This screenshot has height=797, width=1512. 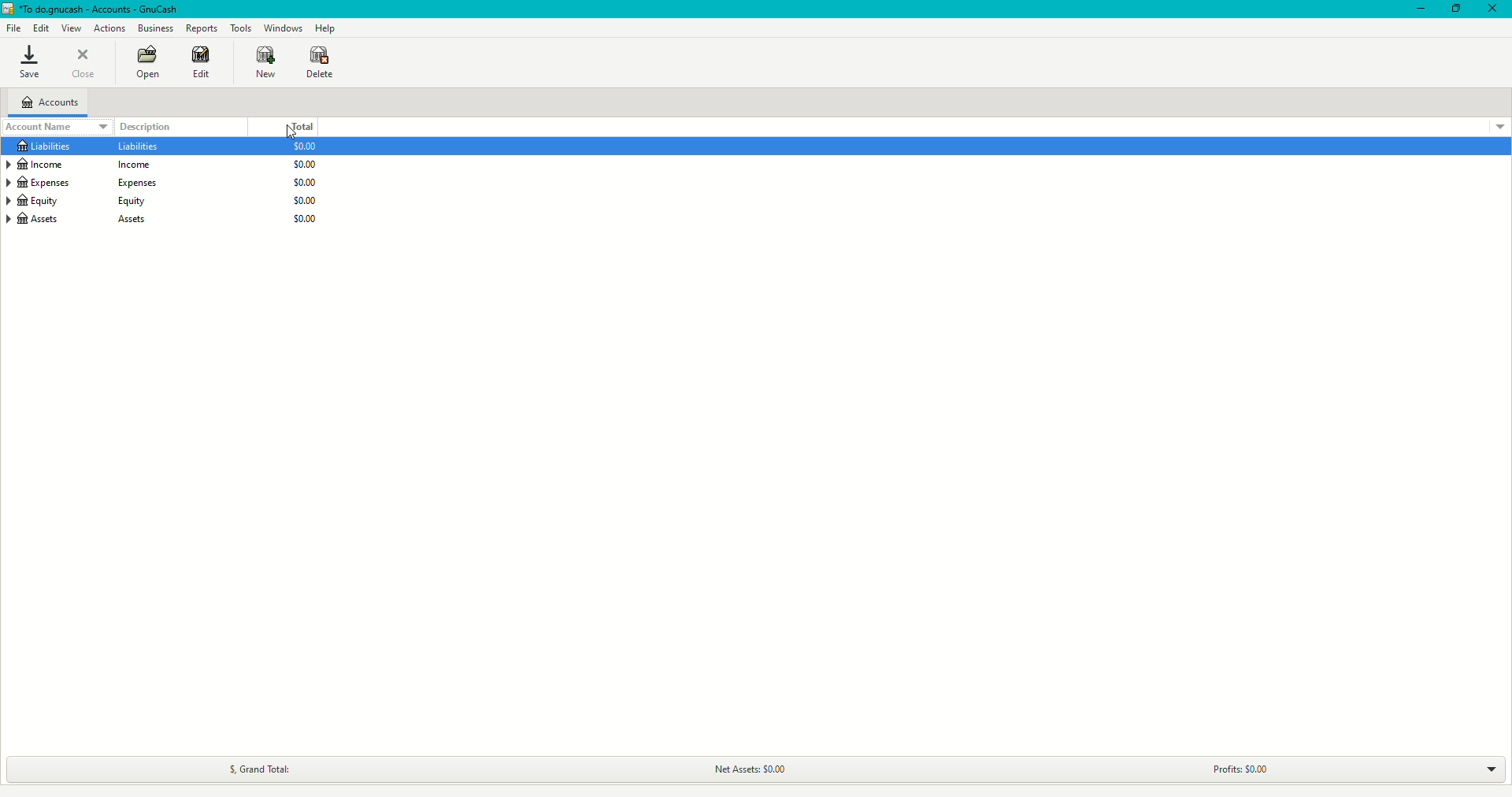 I want to click on Records, so click(x=202, y=28).